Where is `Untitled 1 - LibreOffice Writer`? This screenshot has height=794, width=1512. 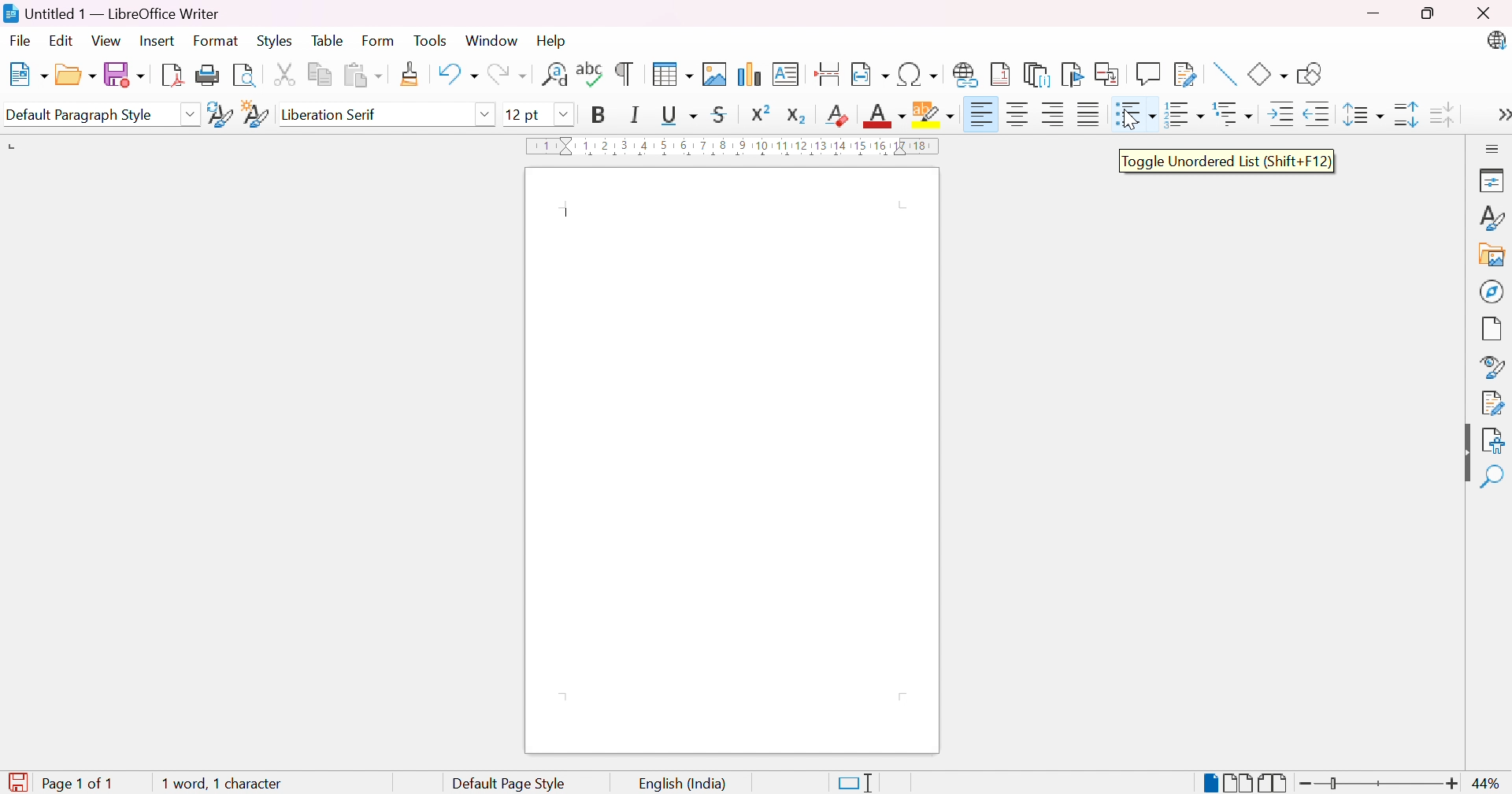
Untitled 1 - LibreOffice Writer is located at coordinates (112, 12).